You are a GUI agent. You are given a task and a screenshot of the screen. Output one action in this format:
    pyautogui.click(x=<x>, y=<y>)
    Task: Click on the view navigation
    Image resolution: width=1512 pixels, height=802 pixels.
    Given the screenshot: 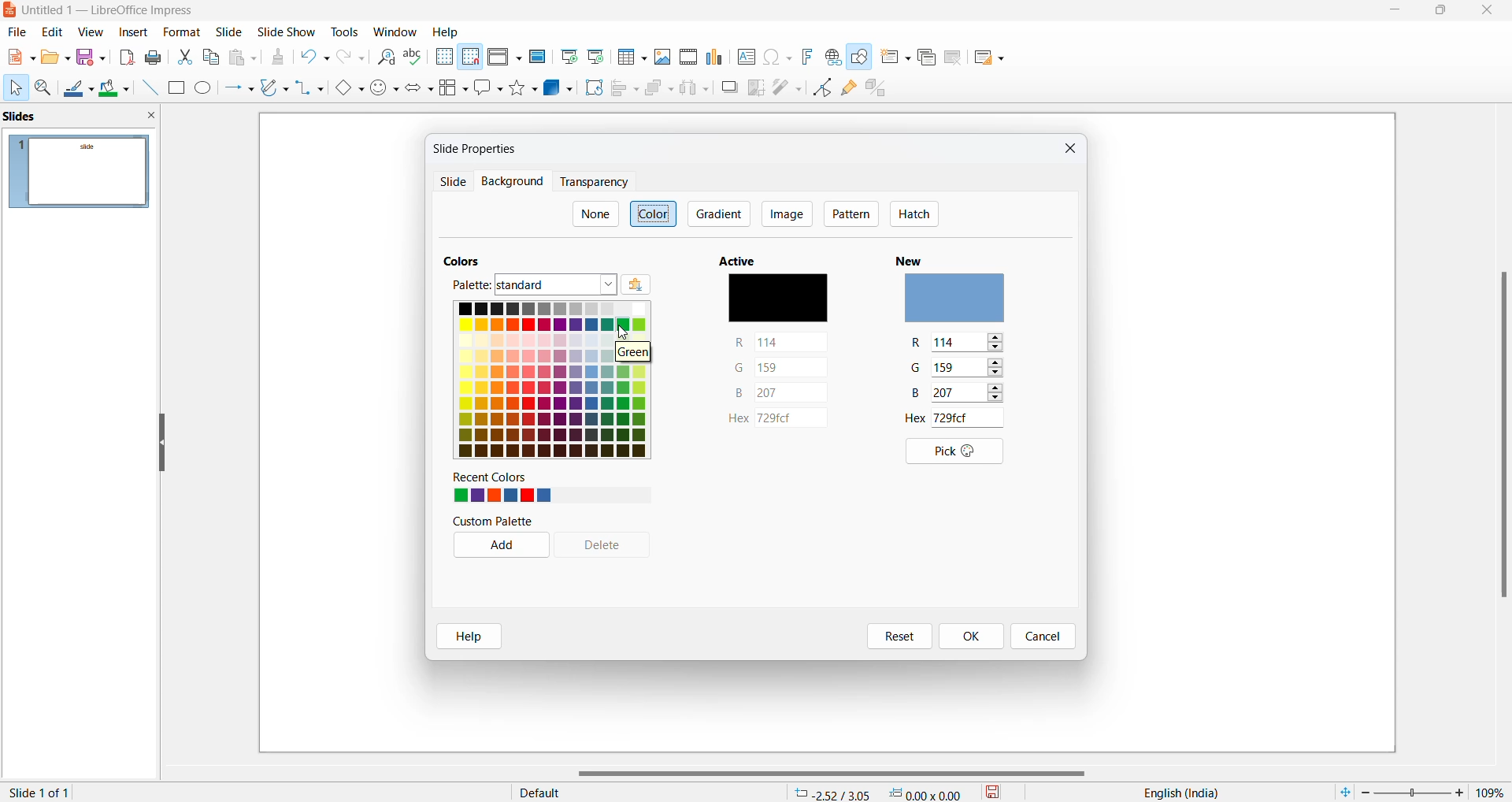 What is the action you would take?
    pyautogui.click(x=91, y=31)
    